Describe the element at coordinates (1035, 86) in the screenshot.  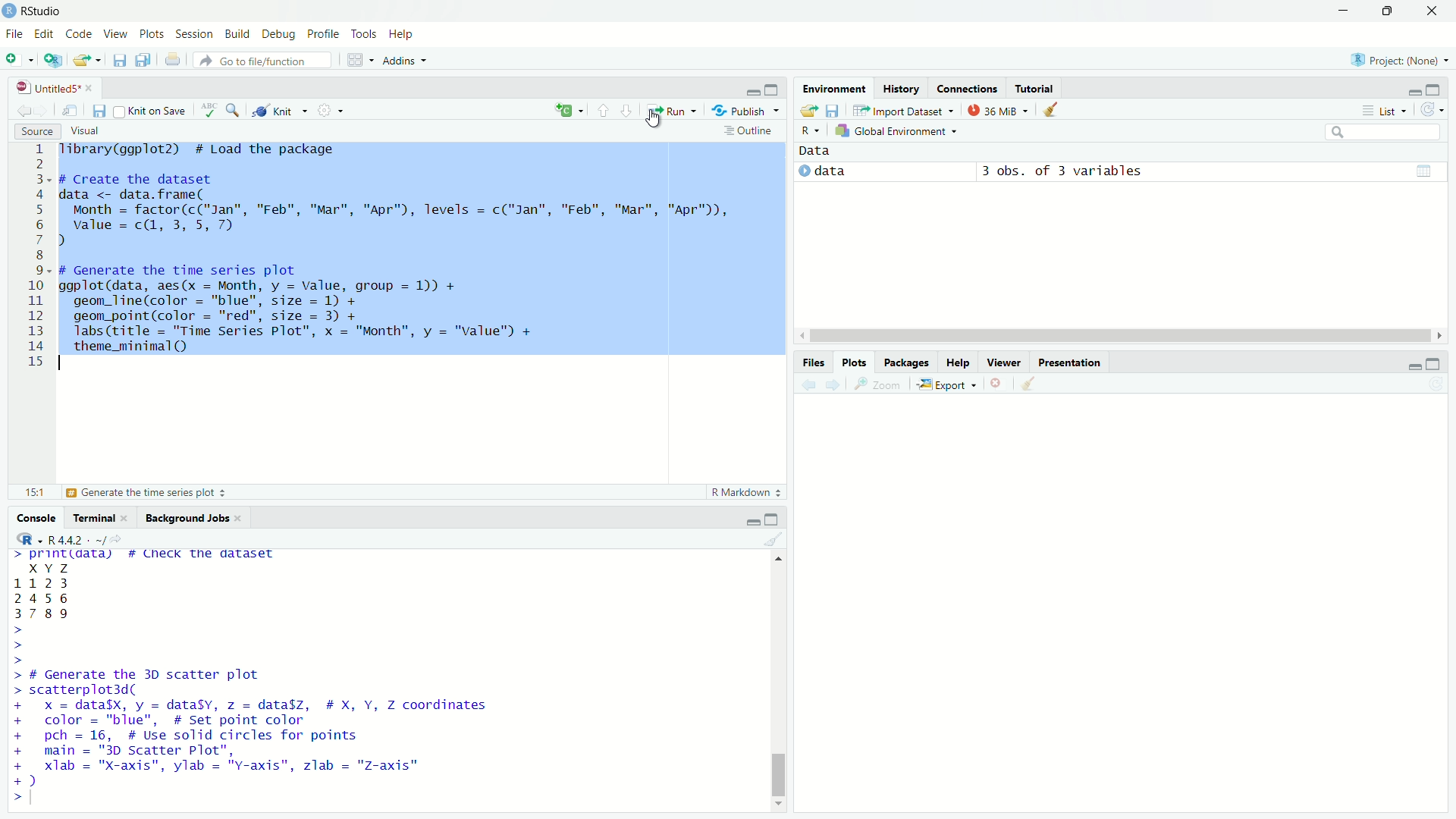
I see `tutorial` at that location.